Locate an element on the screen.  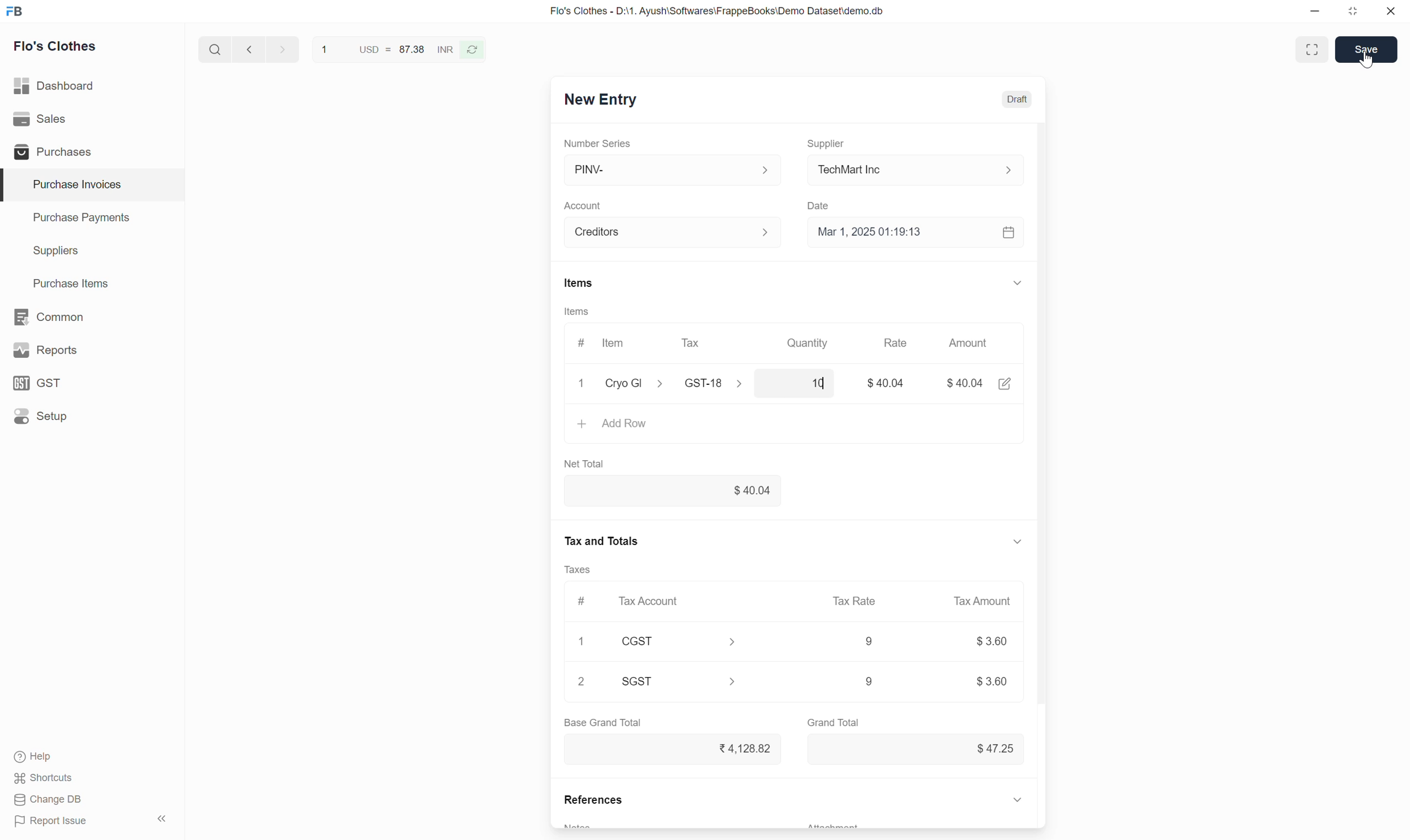
Purchase Items is located at coordinates (65, 281).